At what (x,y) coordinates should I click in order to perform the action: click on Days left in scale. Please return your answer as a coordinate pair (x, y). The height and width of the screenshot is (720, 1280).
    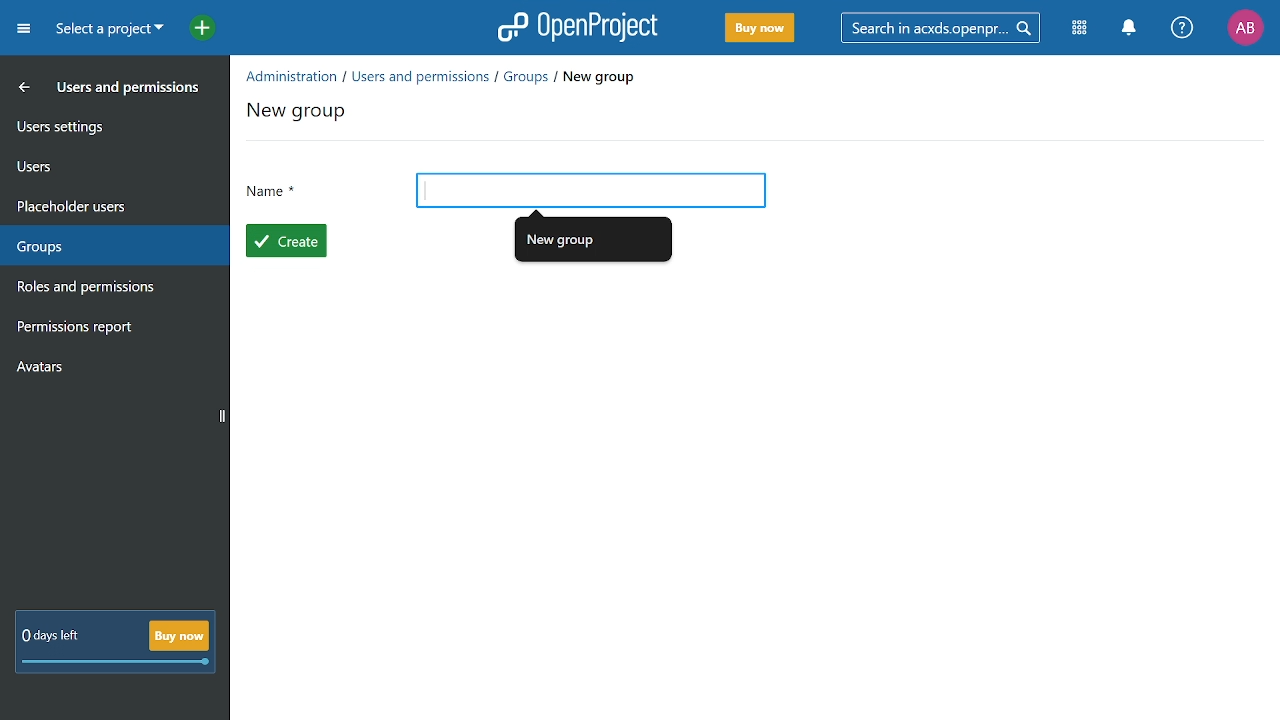
    Looking at the image, I should click on (117, 663).